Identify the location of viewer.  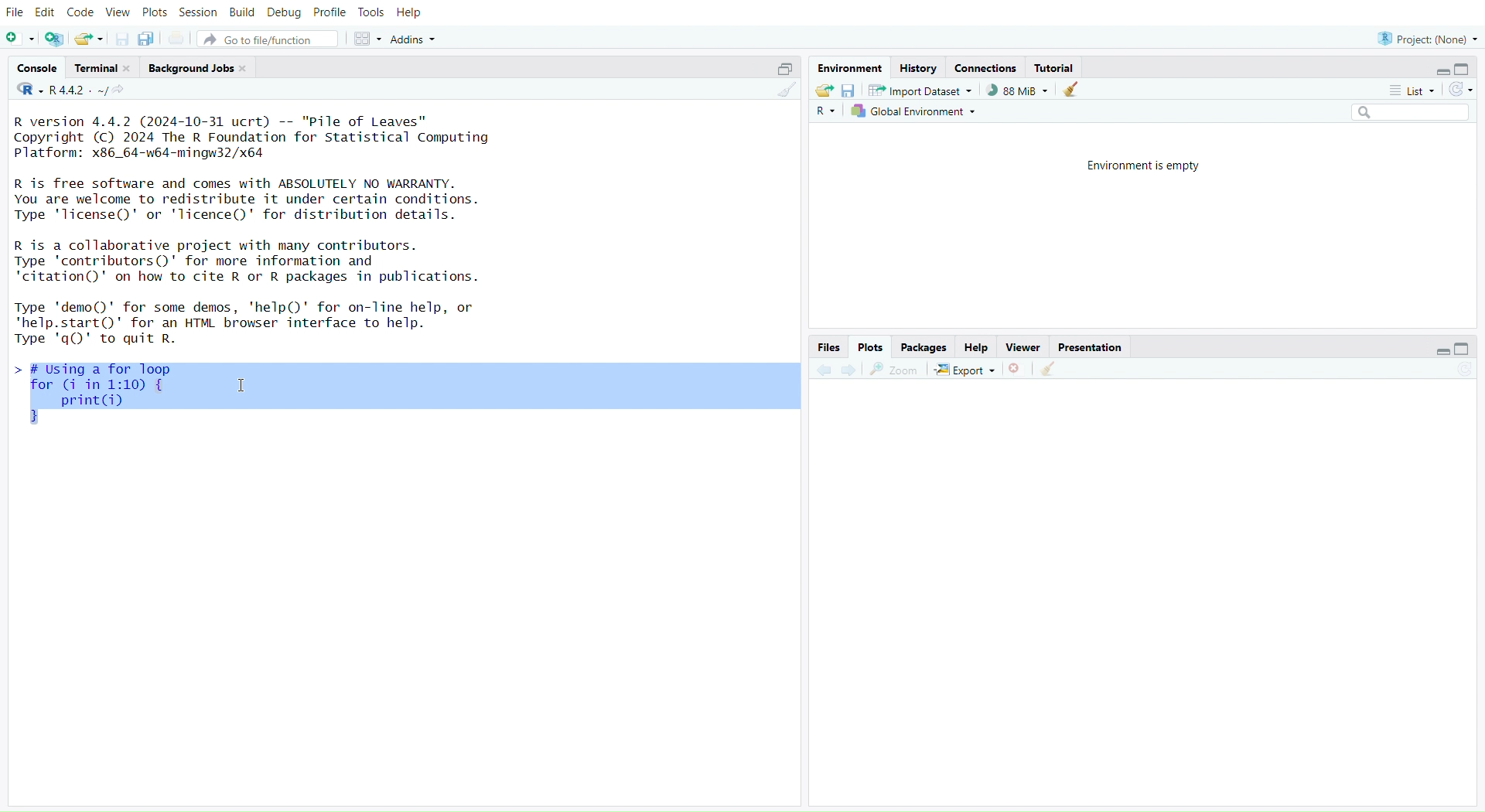
(1025, 347).